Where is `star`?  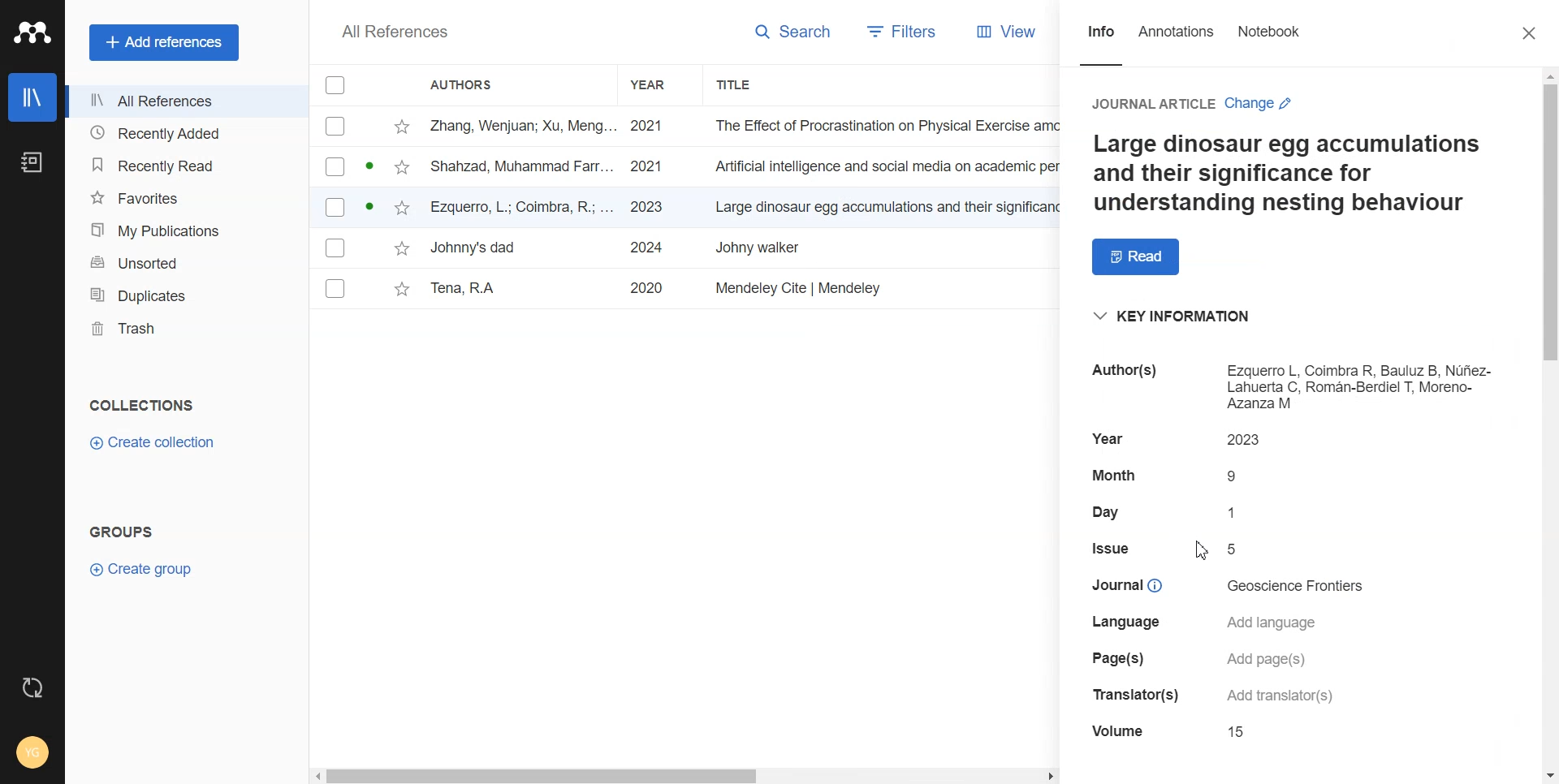 star is located at coordinates (403, 207).